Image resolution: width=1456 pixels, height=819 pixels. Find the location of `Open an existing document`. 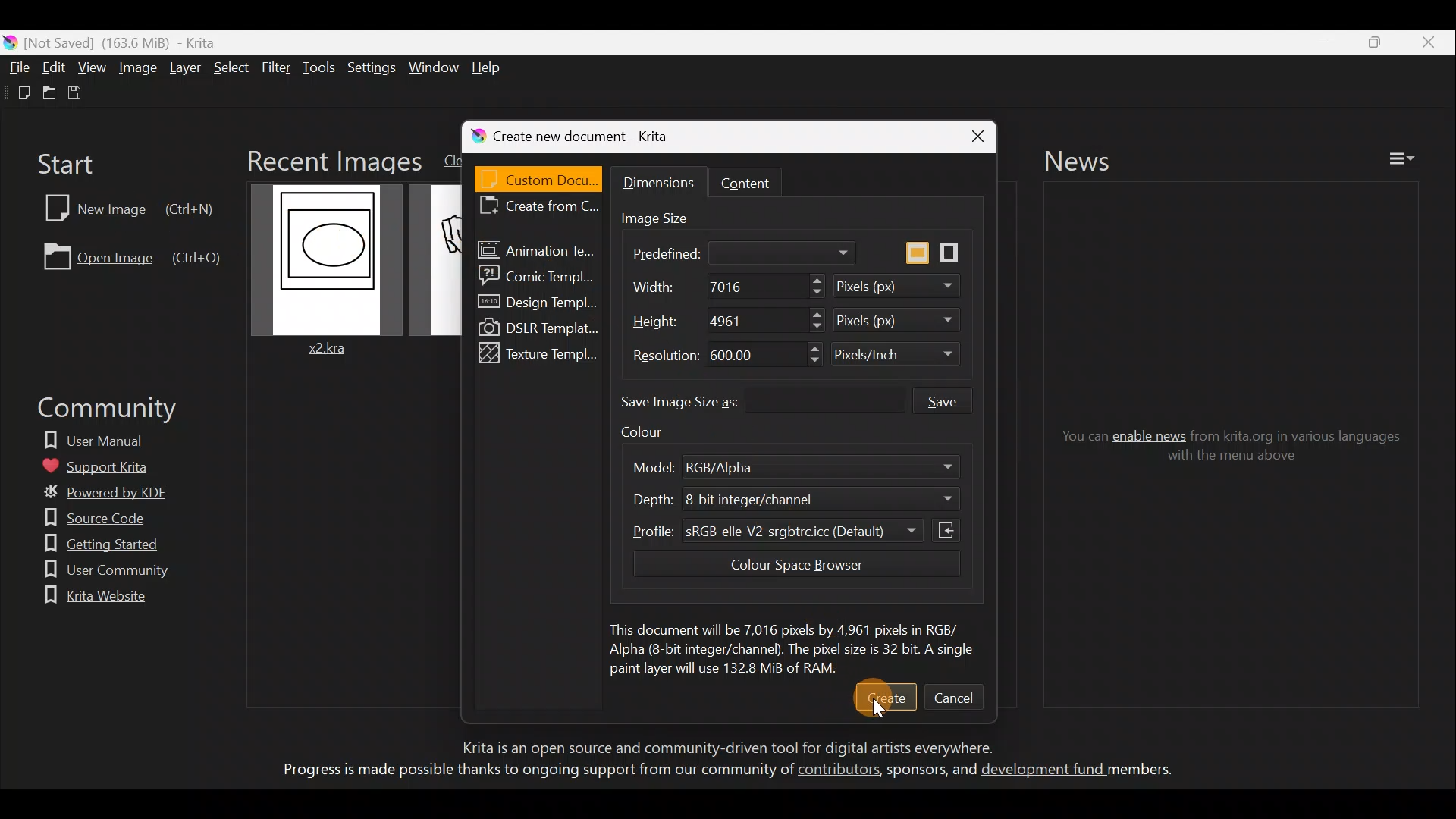

Open an existing document is located at coordinates (46, 93).